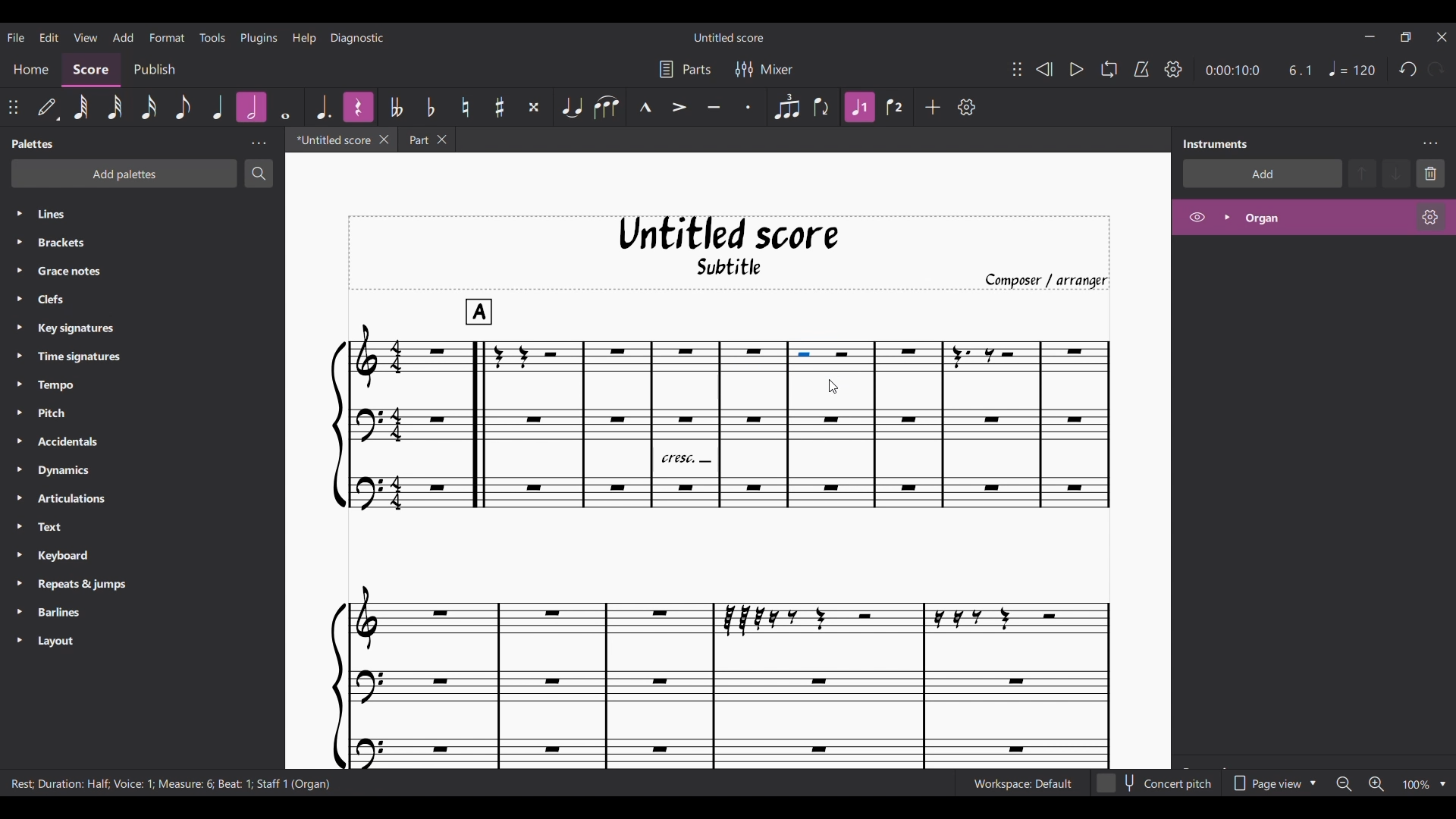 This screenshot has height=819, width=1456. Describe the element at coordinates (1351, 68) in the screenshot. I see `Quarter note` at that location.